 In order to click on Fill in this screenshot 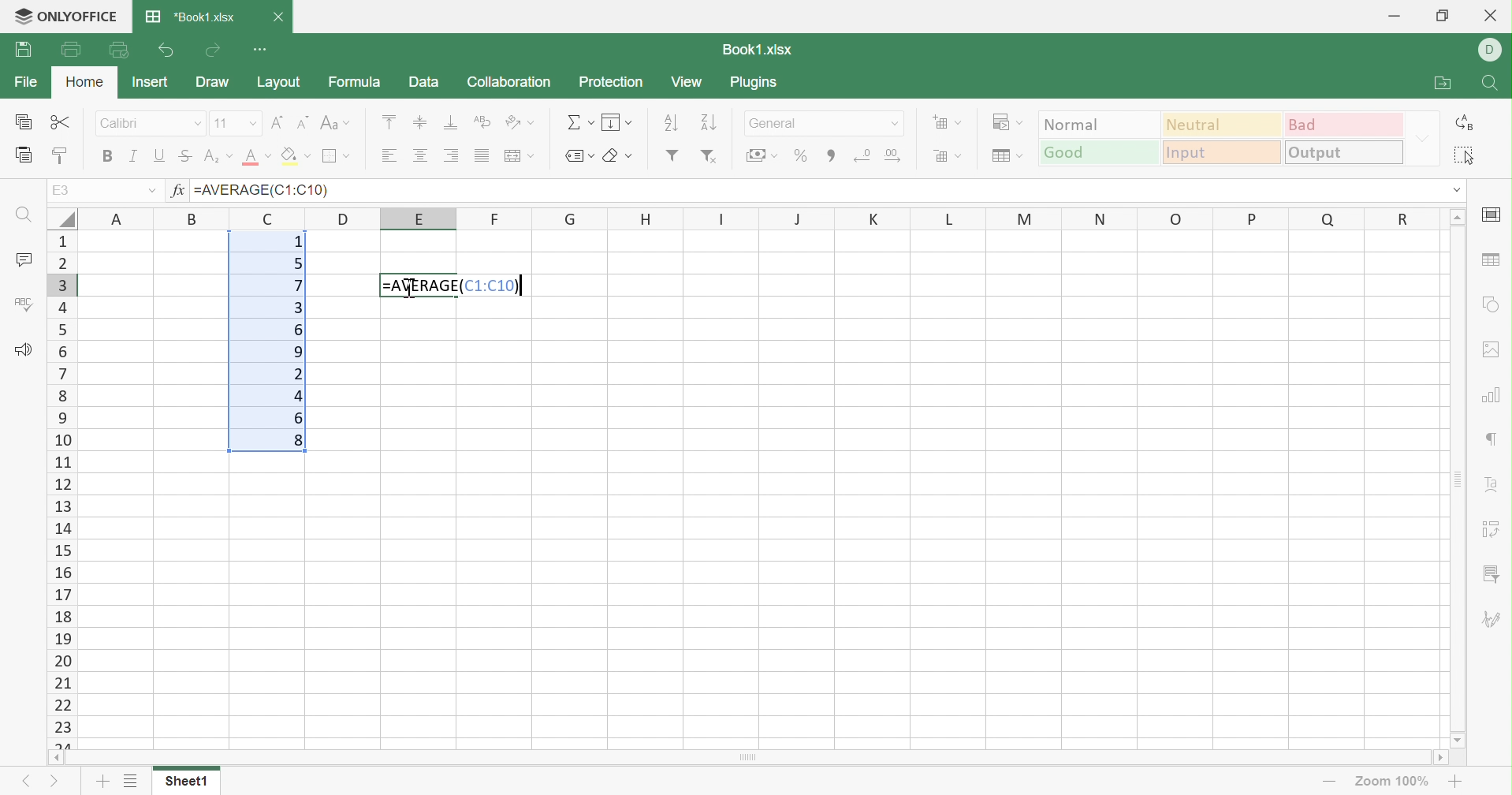, I will do `click(616, 121)`.